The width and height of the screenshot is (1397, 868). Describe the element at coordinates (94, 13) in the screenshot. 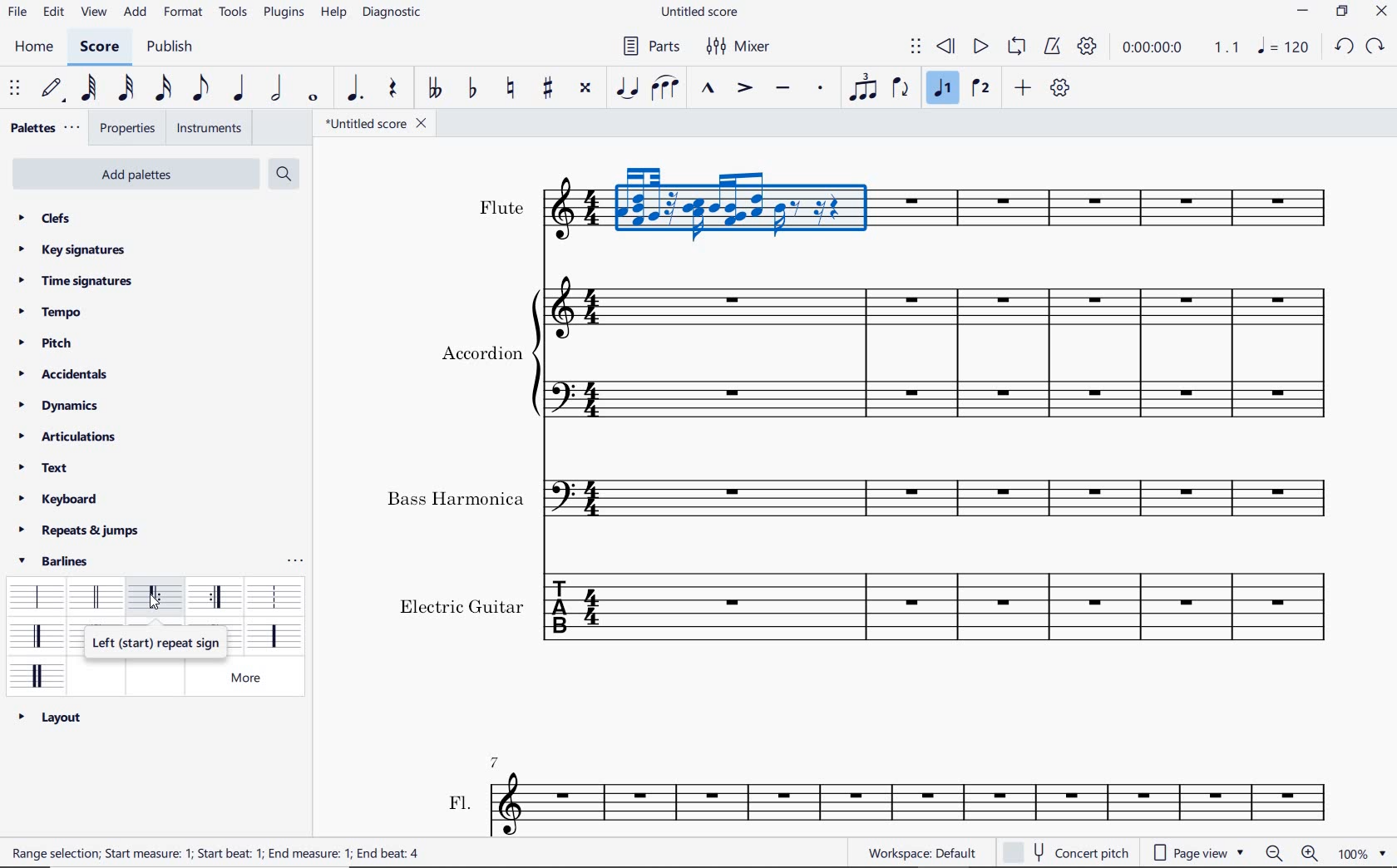

I see `view` at that location.